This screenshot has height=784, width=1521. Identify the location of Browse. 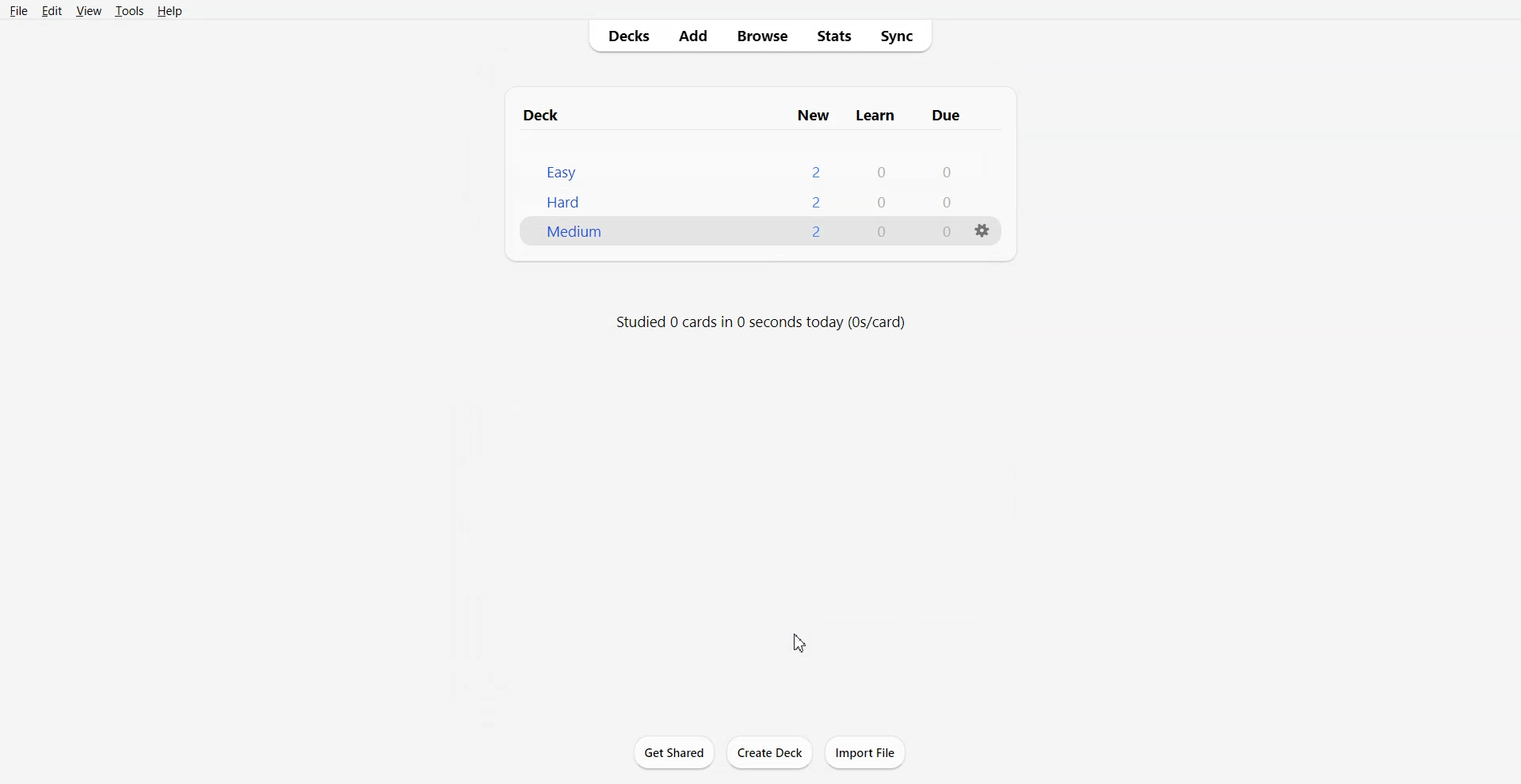
(764, 36).